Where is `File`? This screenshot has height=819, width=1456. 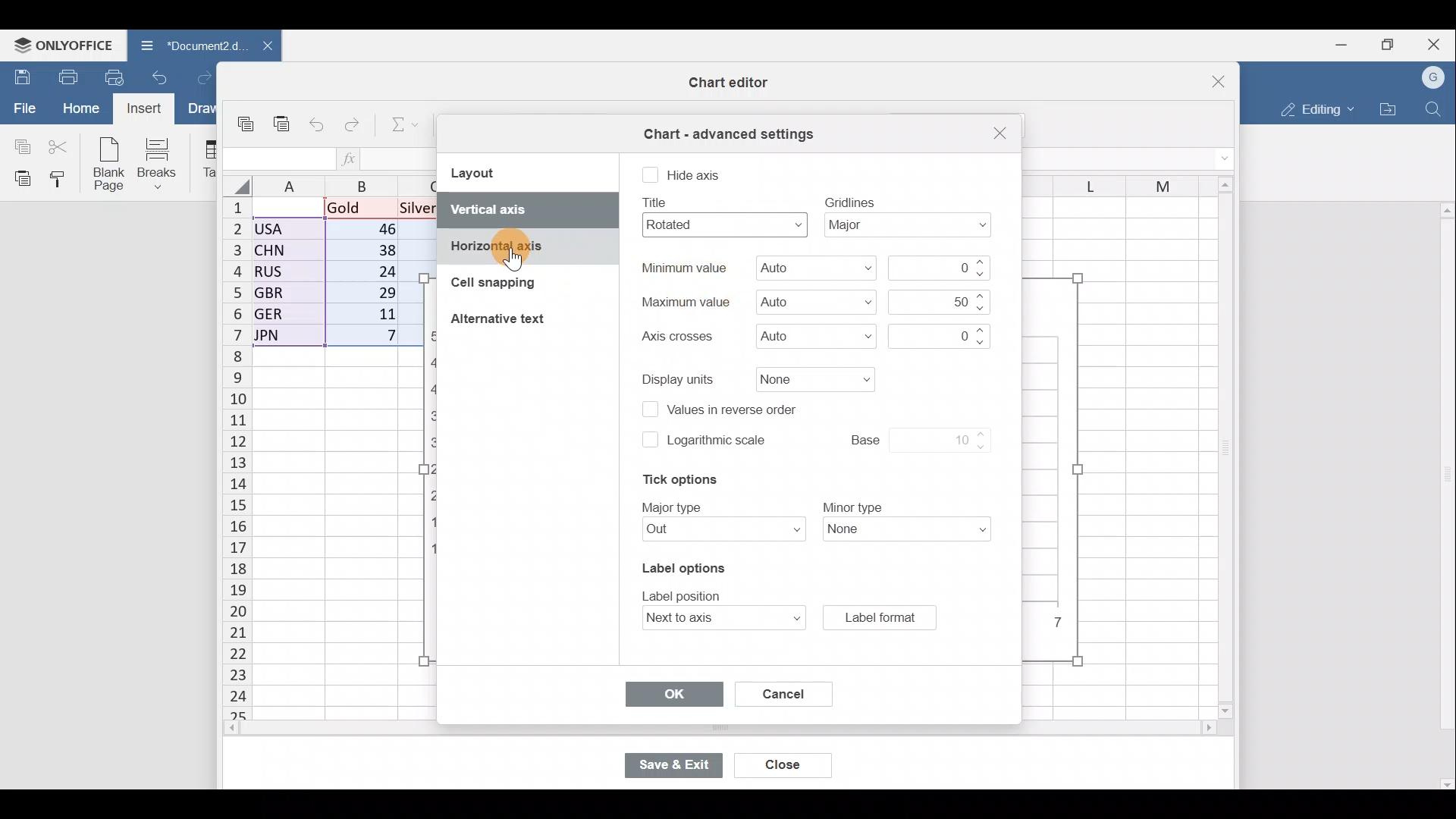 File is located at coordinates (20, 108).